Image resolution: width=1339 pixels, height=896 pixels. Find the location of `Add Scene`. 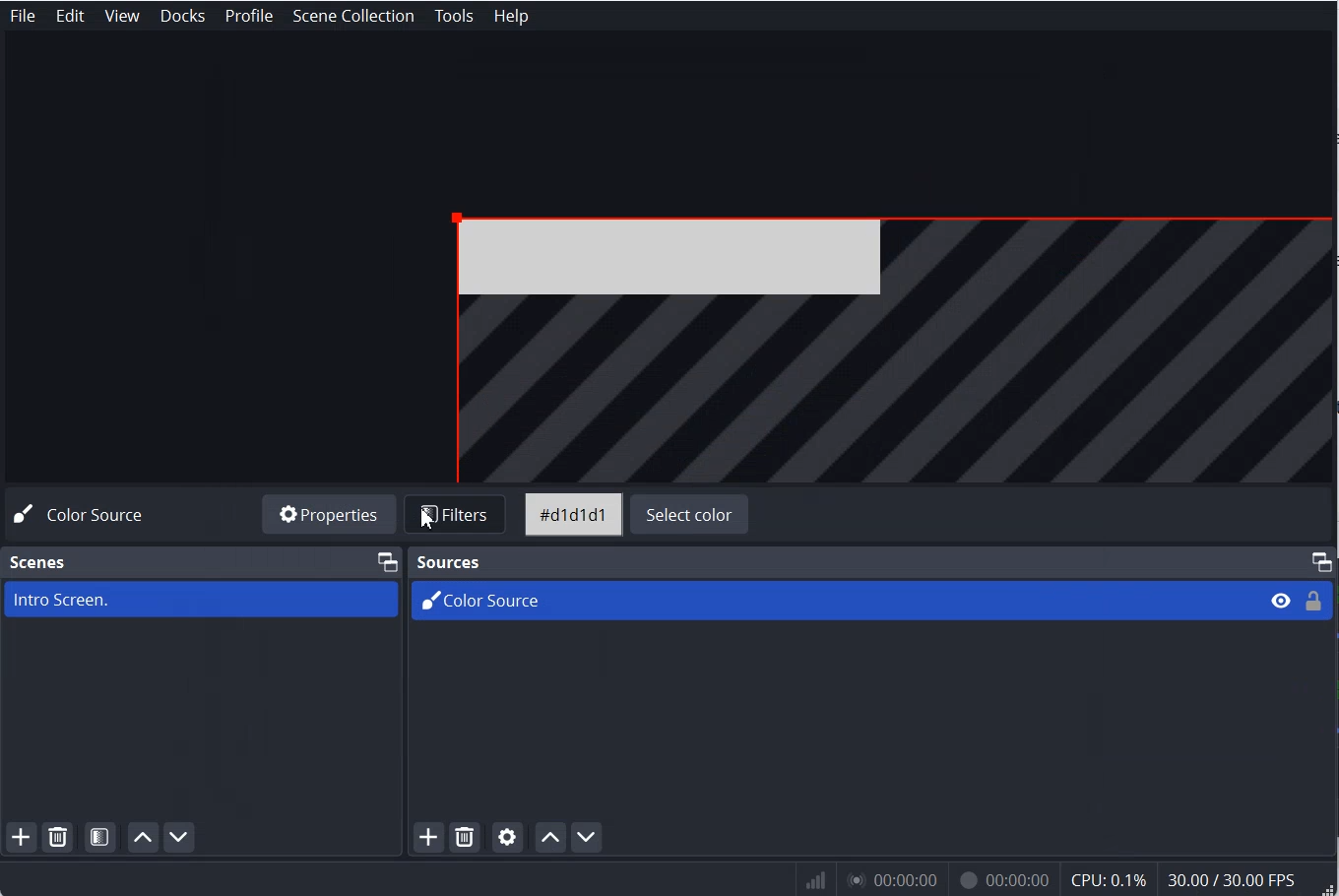

Add Scene is located at coordinates (21, 838).